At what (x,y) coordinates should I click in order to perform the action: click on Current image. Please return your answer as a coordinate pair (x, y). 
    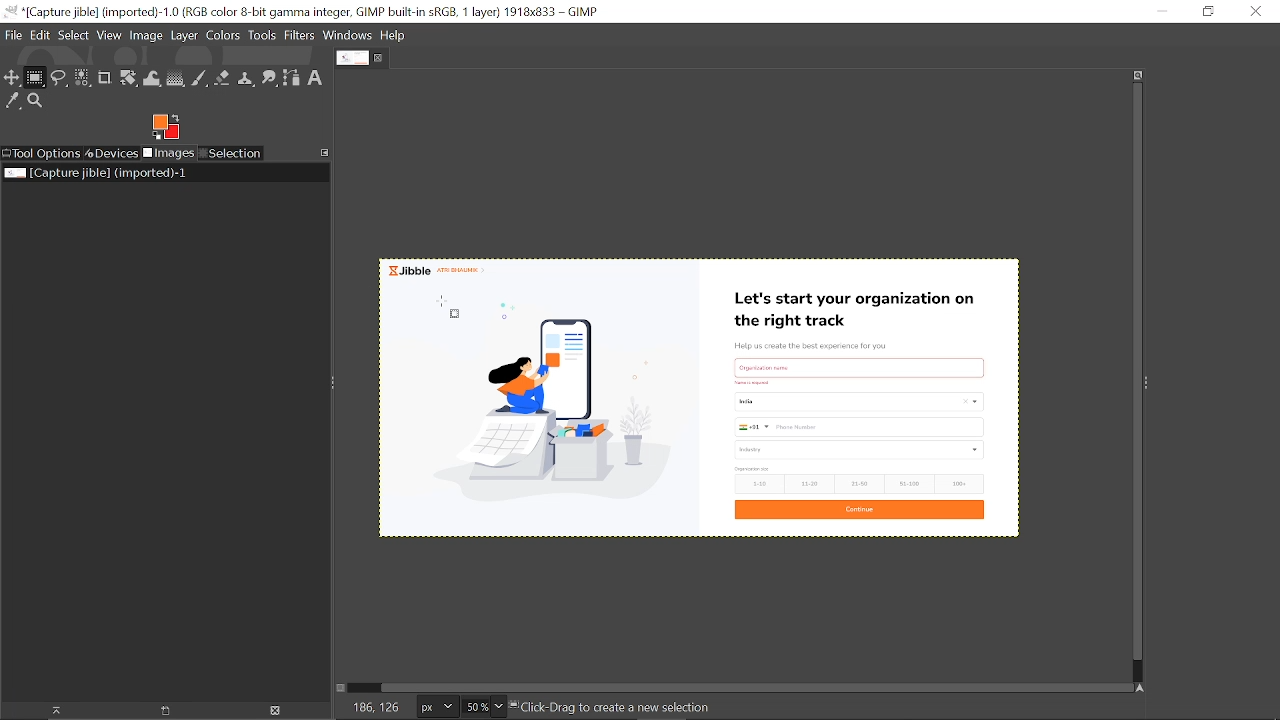
    Looking at the image, I should click on (545, 407).